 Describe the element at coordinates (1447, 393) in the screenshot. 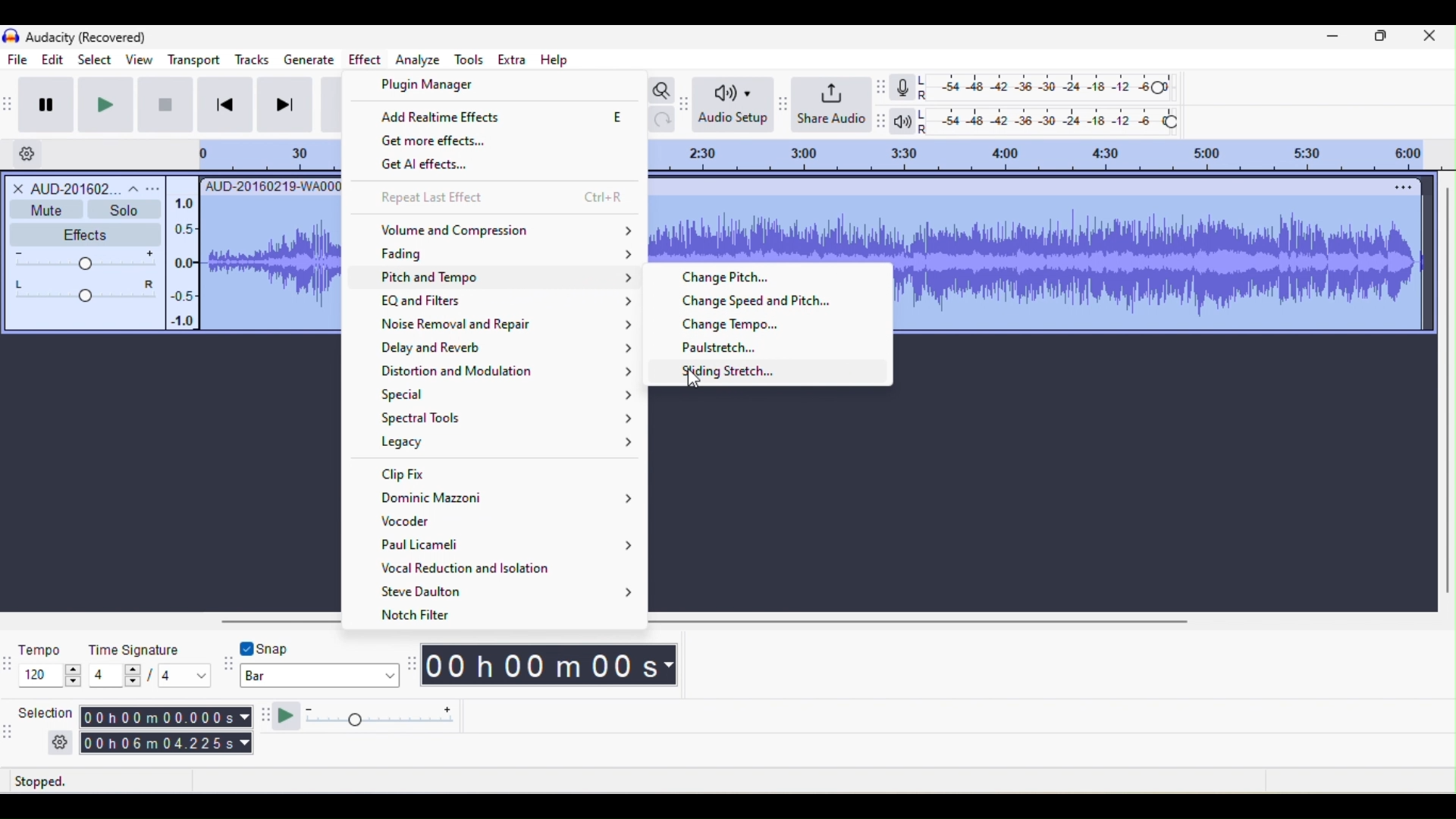

I see `vertical scroll bar` at that location.